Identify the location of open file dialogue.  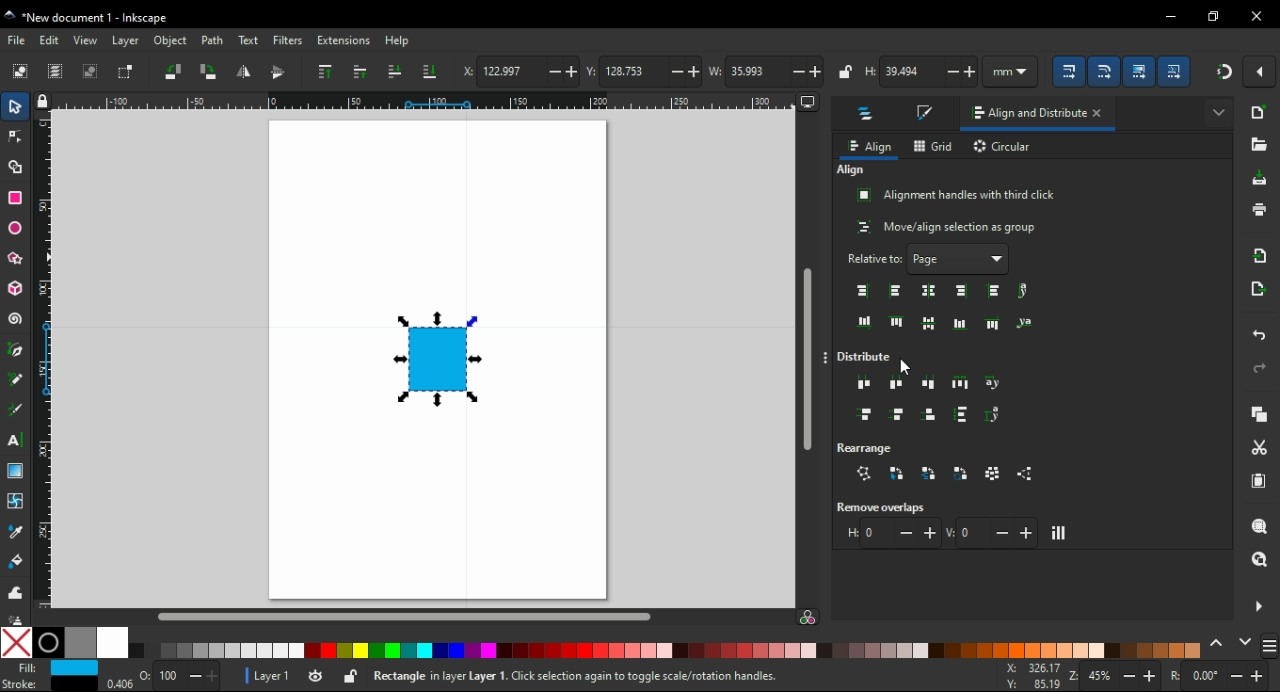
(1258, 144).